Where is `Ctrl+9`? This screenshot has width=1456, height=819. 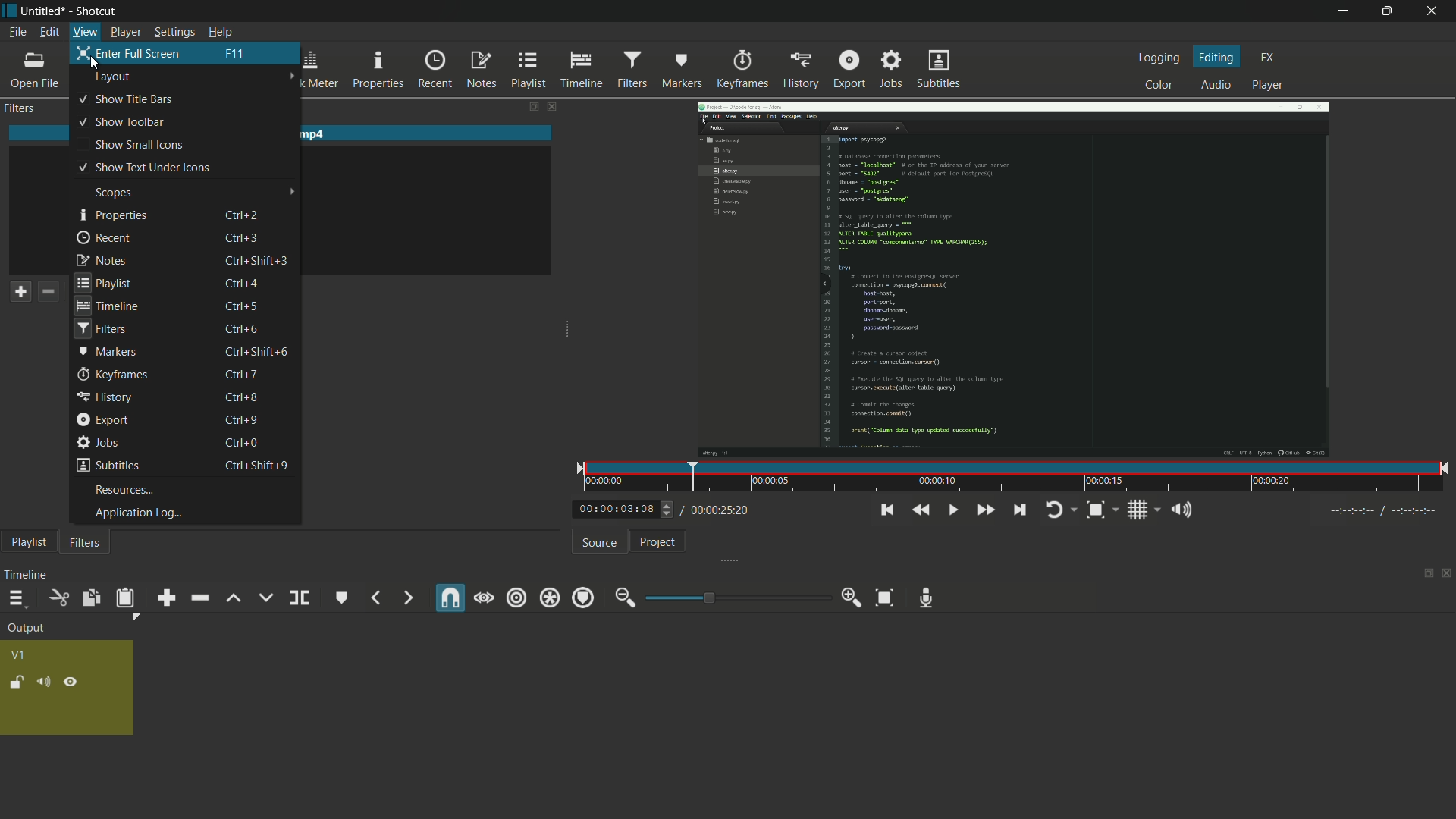 Ctrl+9 is located at coordinates (243, 419).